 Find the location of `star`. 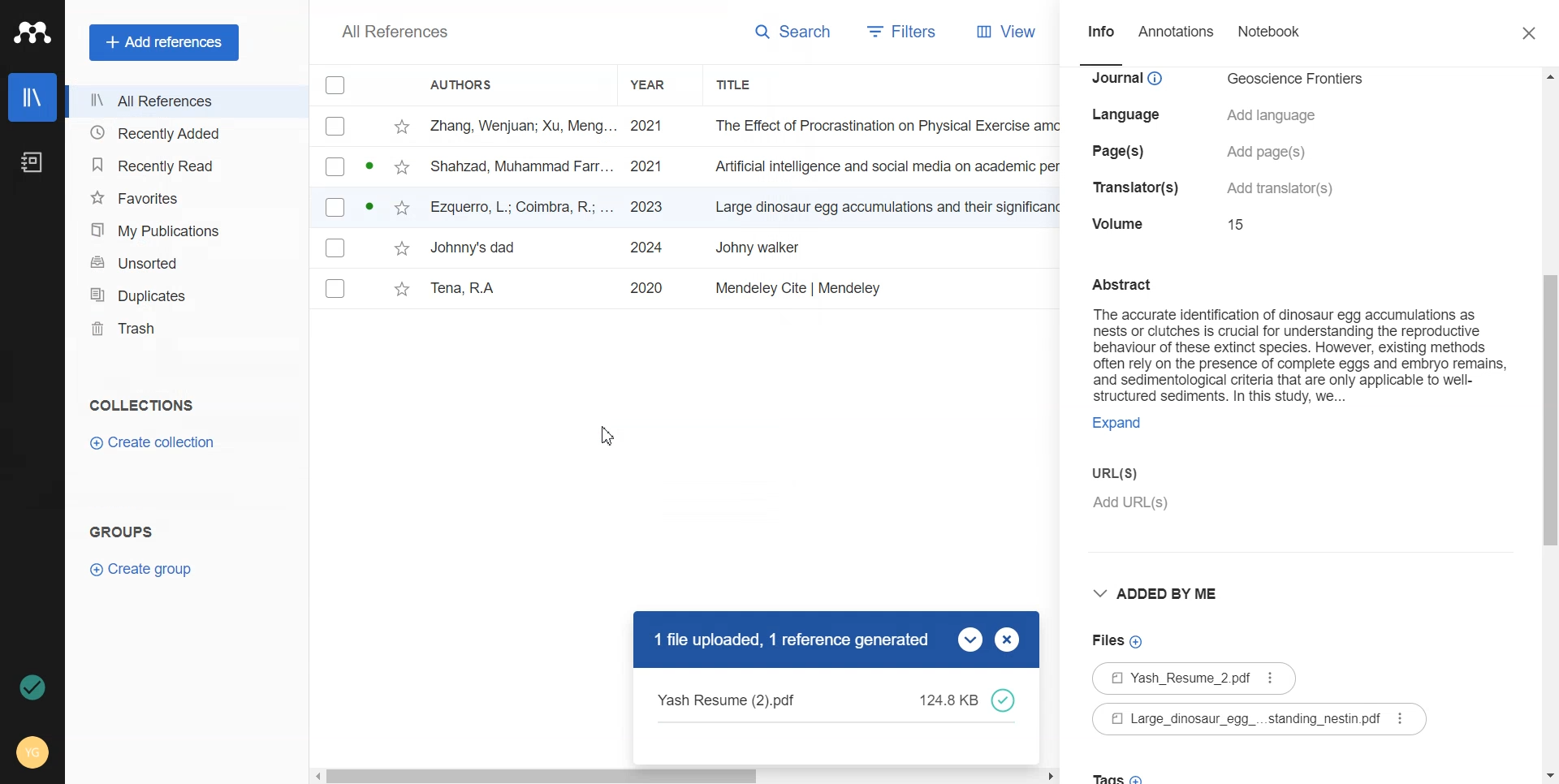

star is located at coordinates (404, 127).